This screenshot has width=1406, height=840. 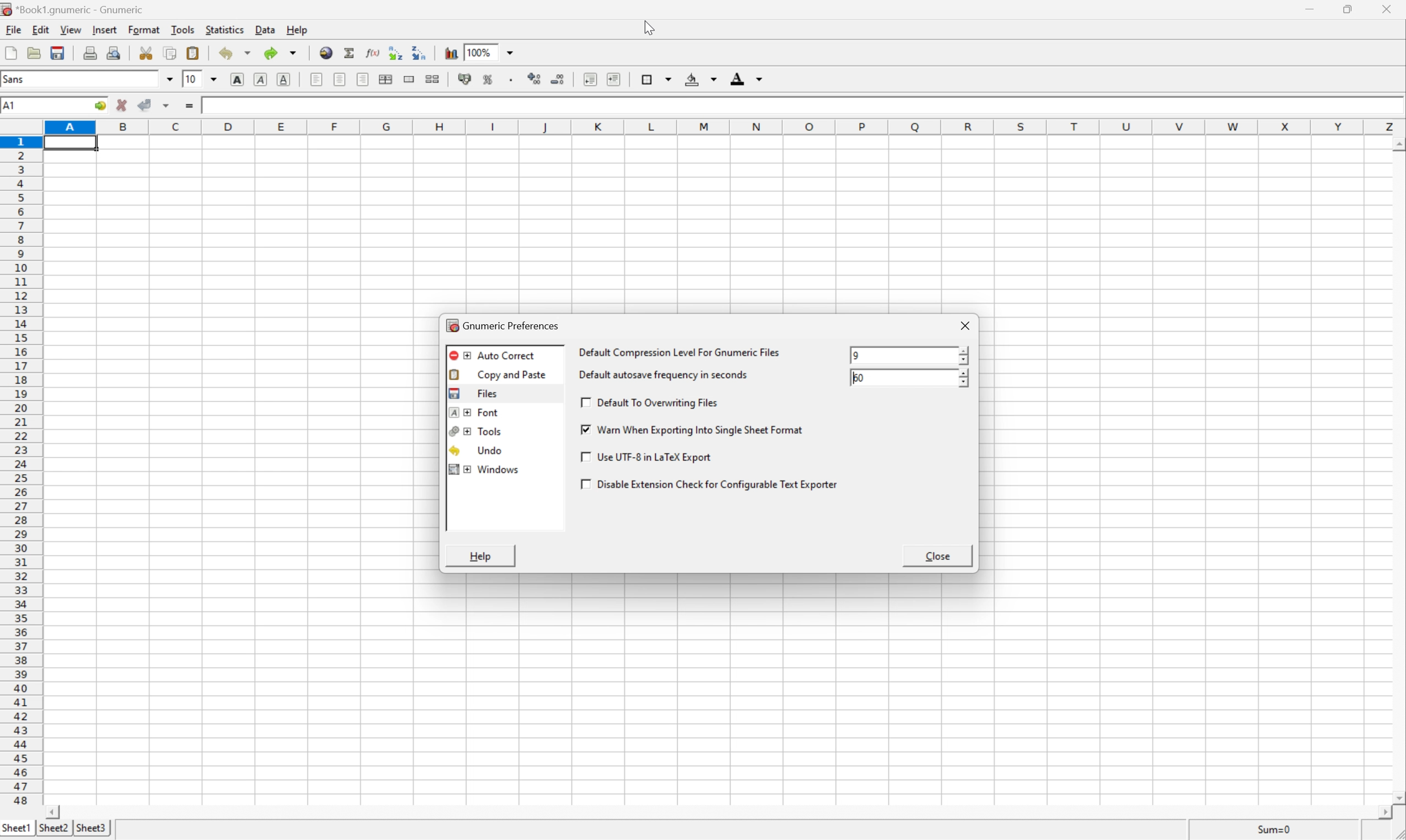 I want to click on windows, so click(x=488, y=471).